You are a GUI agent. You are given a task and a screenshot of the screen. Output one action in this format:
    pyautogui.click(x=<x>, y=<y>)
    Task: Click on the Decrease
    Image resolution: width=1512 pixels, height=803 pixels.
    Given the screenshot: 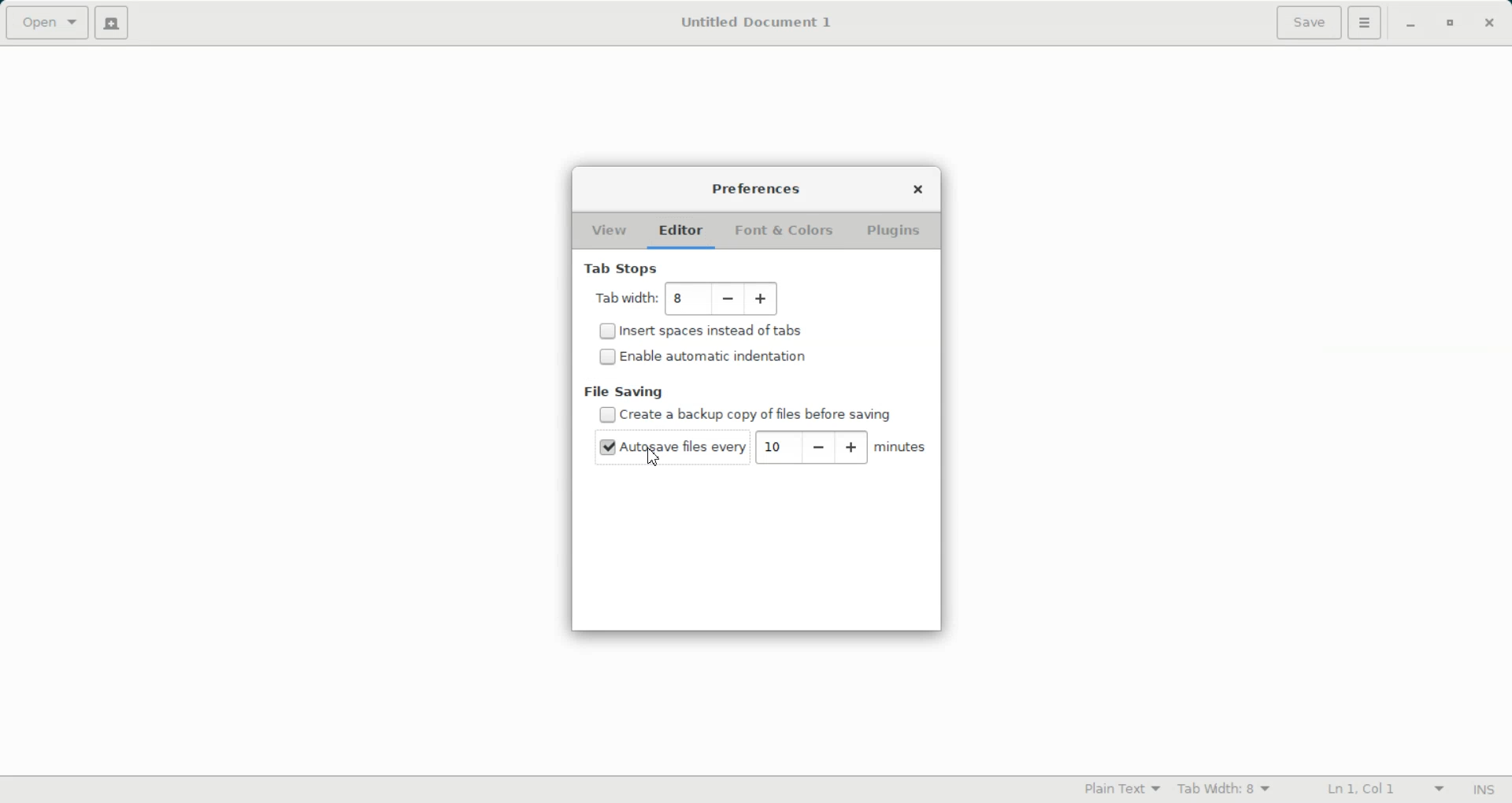 What is the action you would take?
    pyautogui.click(x=815, y=447)
    